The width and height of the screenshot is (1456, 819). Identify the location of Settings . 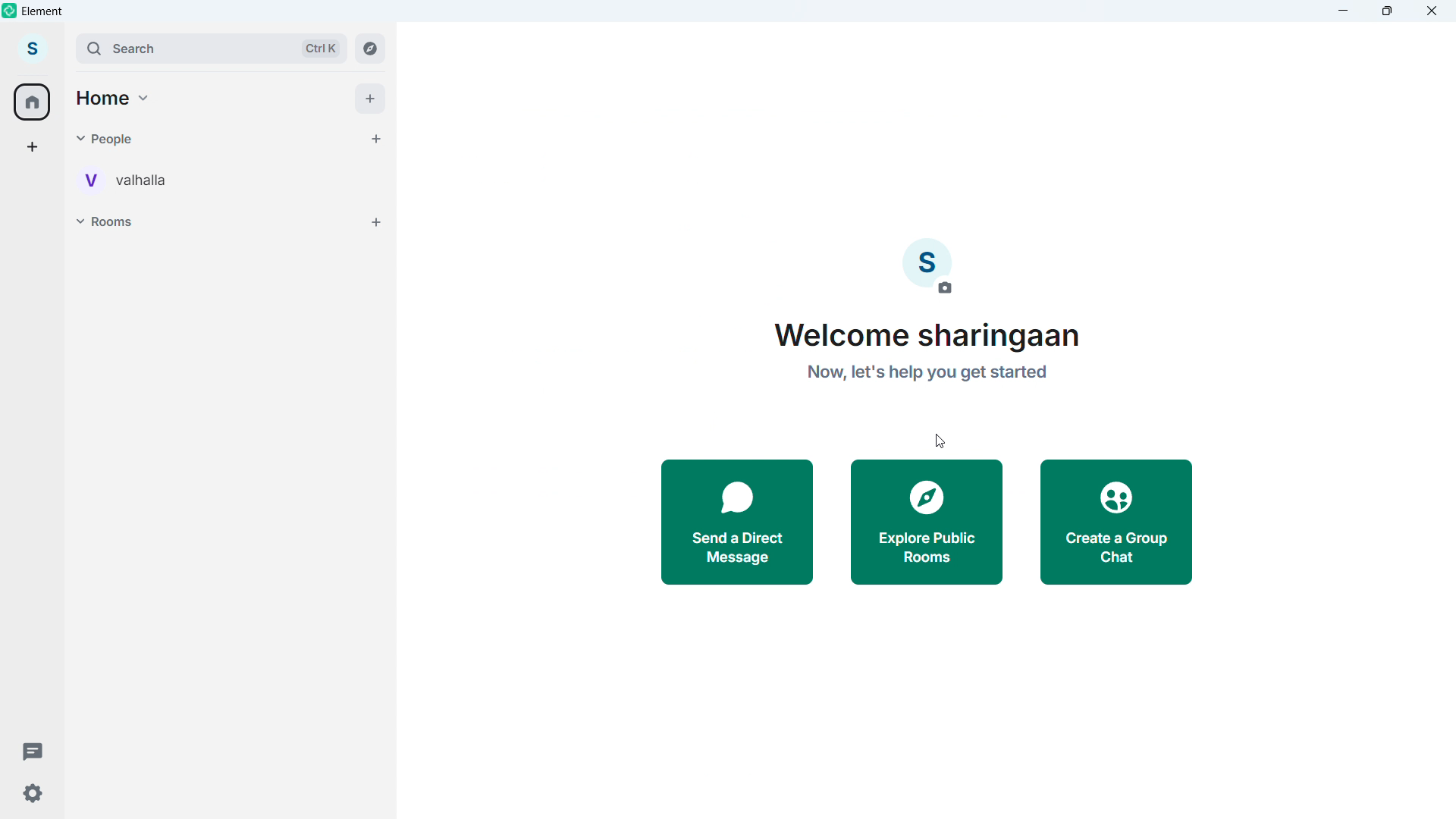
(31, 794).